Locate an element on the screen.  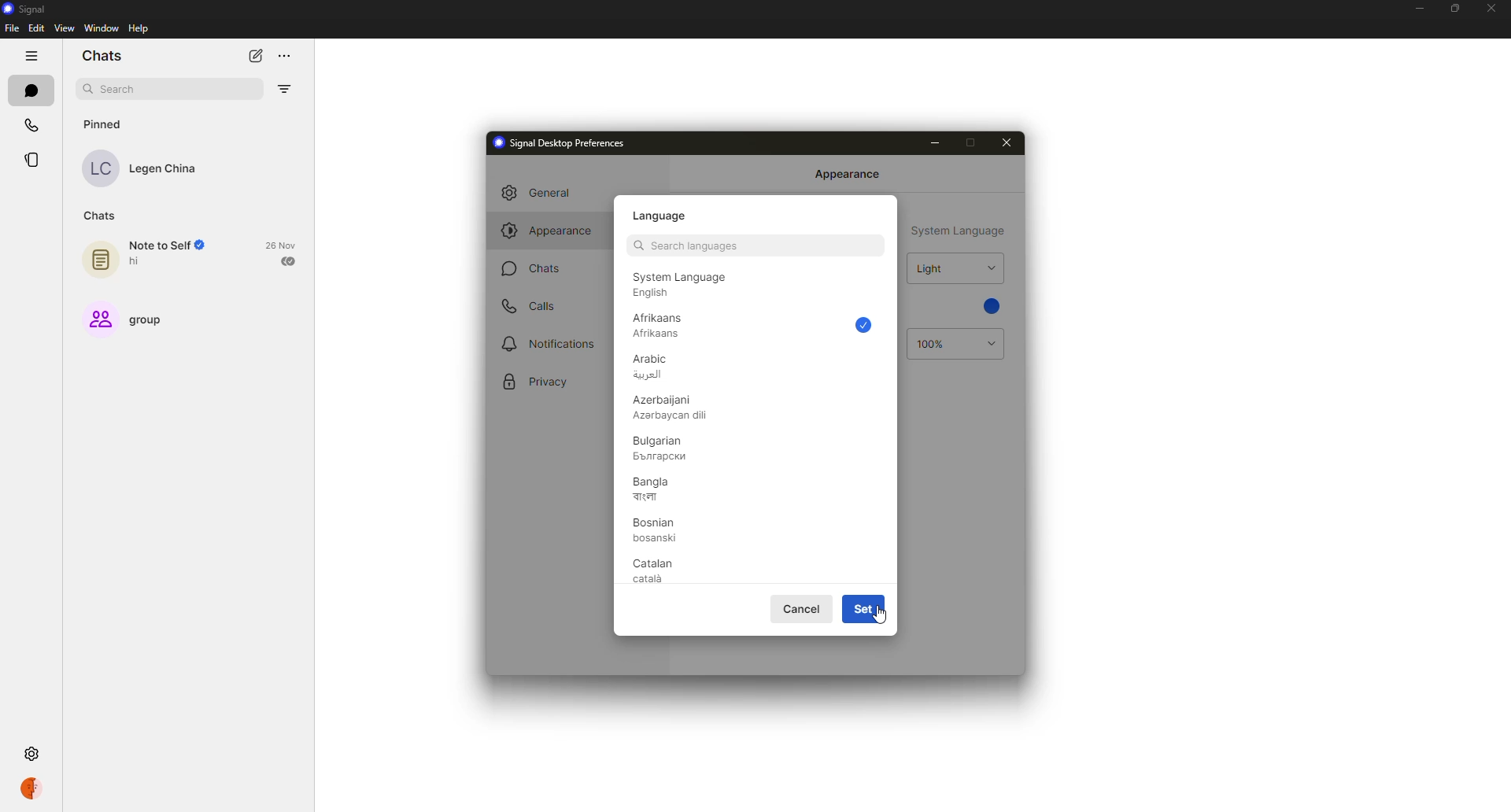
cursor is located at coordinates (886, 614).